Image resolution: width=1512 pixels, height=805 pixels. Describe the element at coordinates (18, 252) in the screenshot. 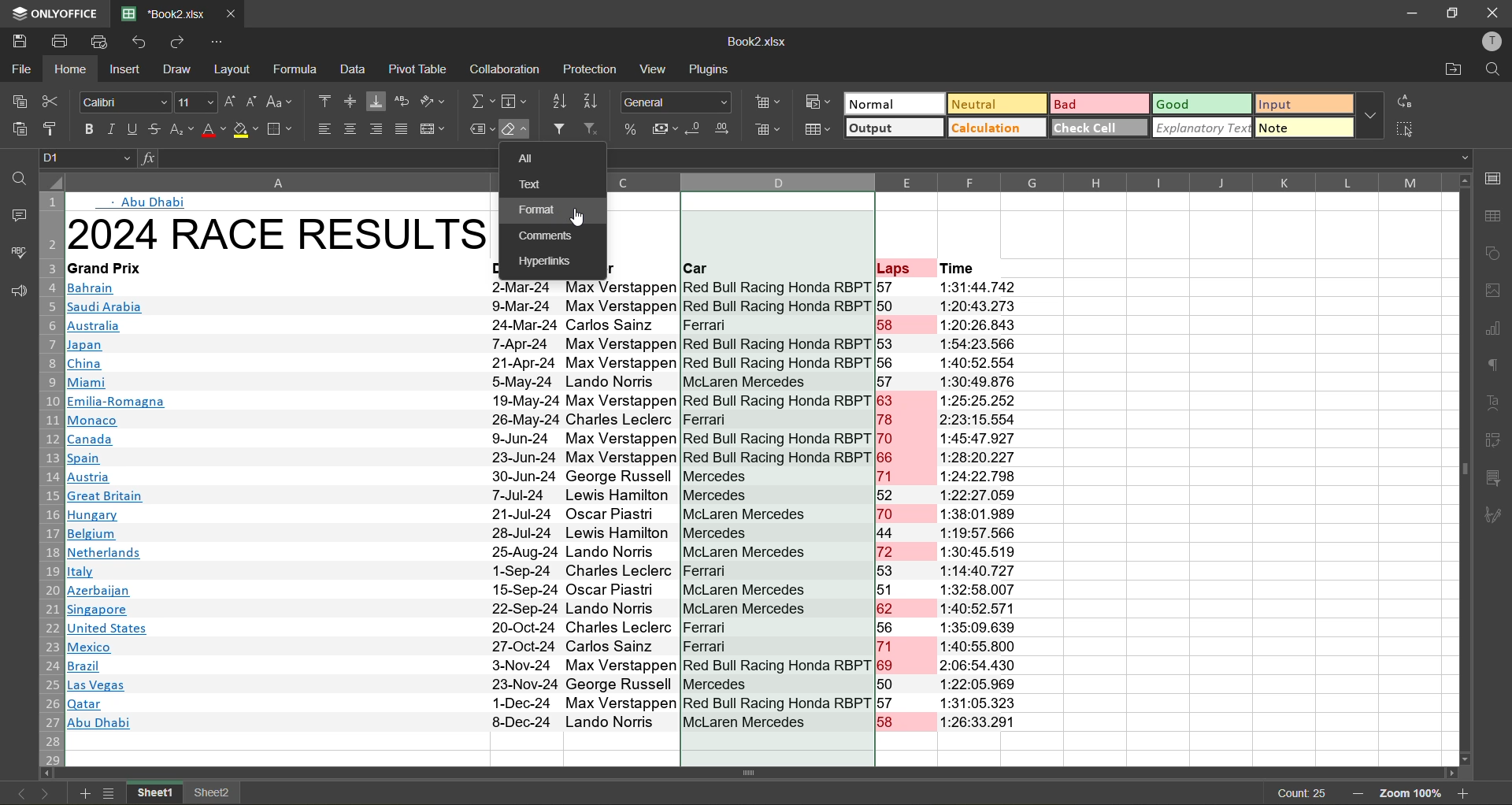

I see `spellcheck` at that location.